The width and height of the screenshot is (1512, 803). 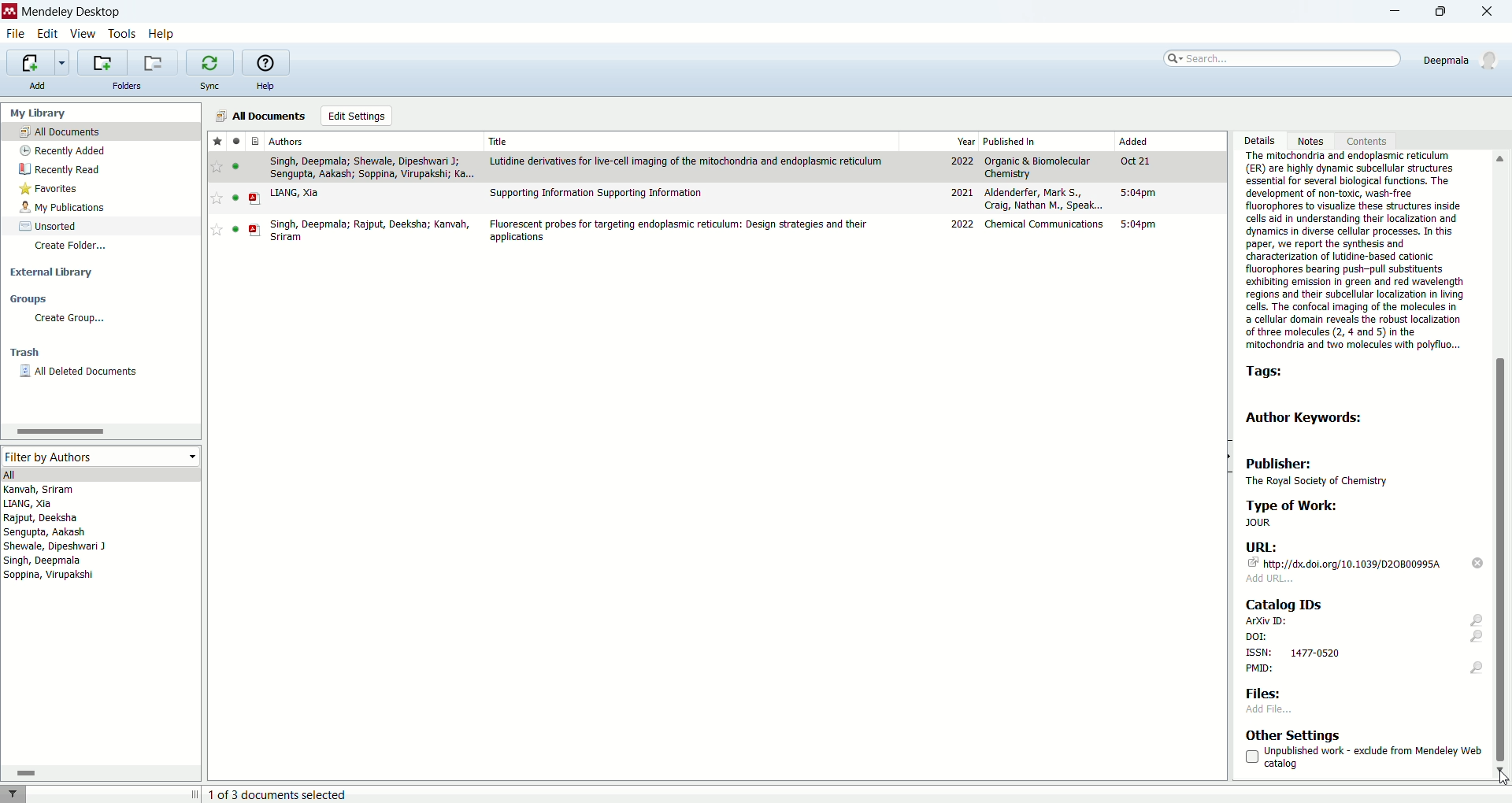 What do you see at coordinates (687, 161) in the screenshot?
I see `Lutidine derivatives for live-cell imaging of the mitochondria and endoplasmic reticulum` at bounding box center [687, 161].